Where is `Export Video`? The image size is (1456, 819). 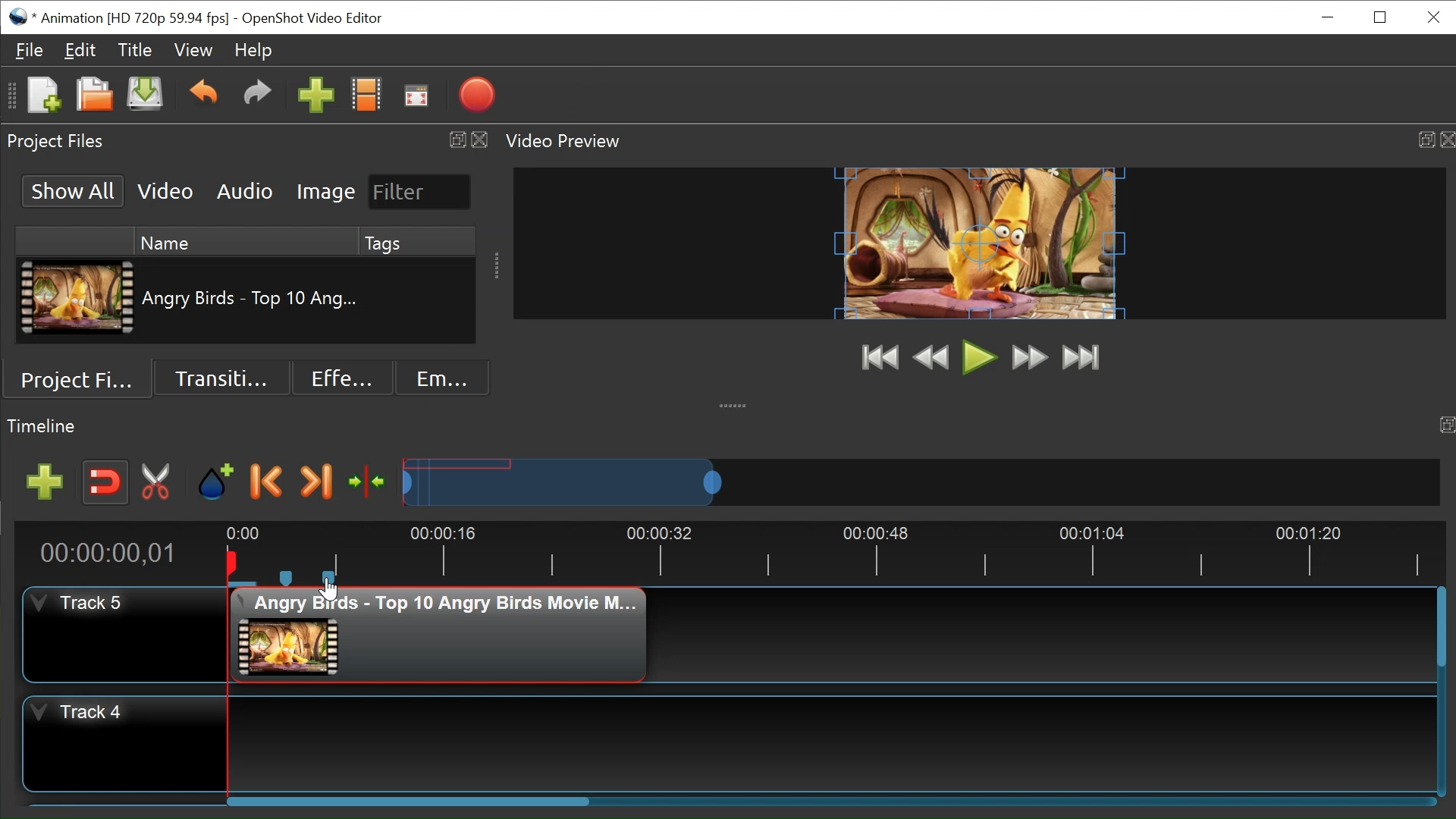
Export Video is located at coordinates (476, 97).